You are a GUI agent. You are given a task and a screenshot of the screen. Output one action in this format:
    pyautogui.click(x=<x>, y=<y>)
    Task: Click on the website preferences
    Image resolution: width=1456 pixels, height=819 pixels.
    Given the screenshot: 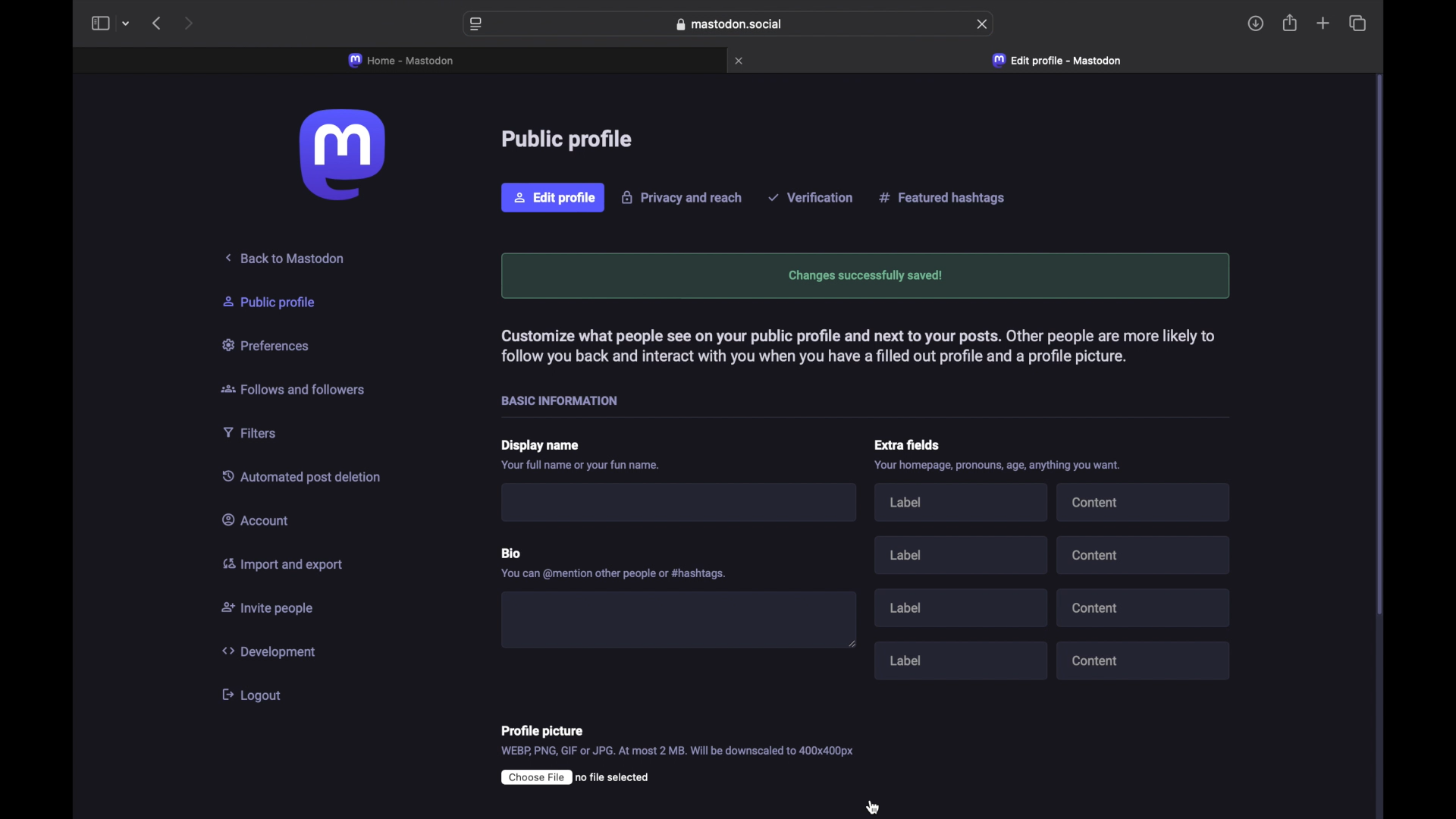 What is the action you would take?
    pyautogui.click(x=475, y=25)
    